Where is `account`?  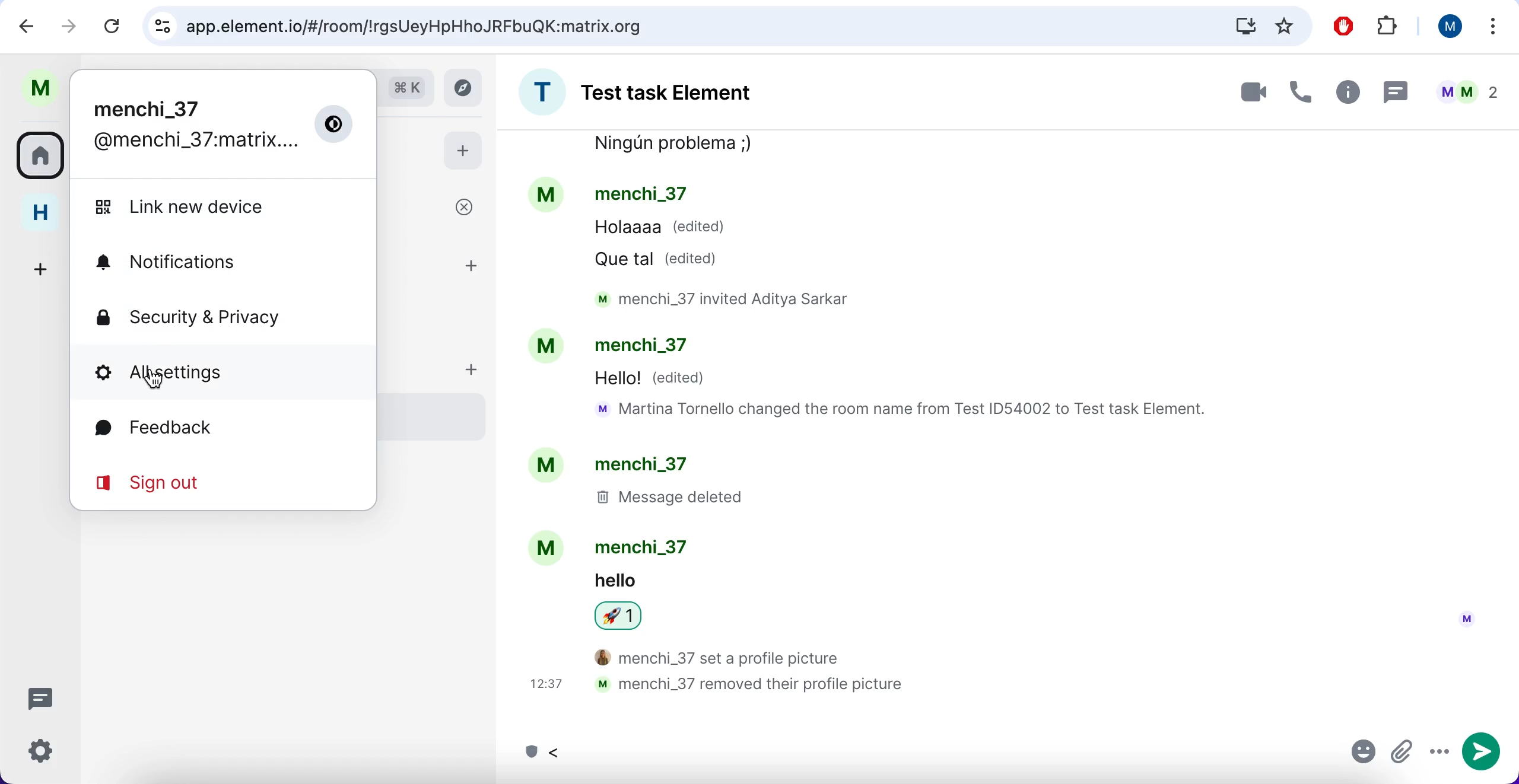 account is located at coordinates (221, 125).